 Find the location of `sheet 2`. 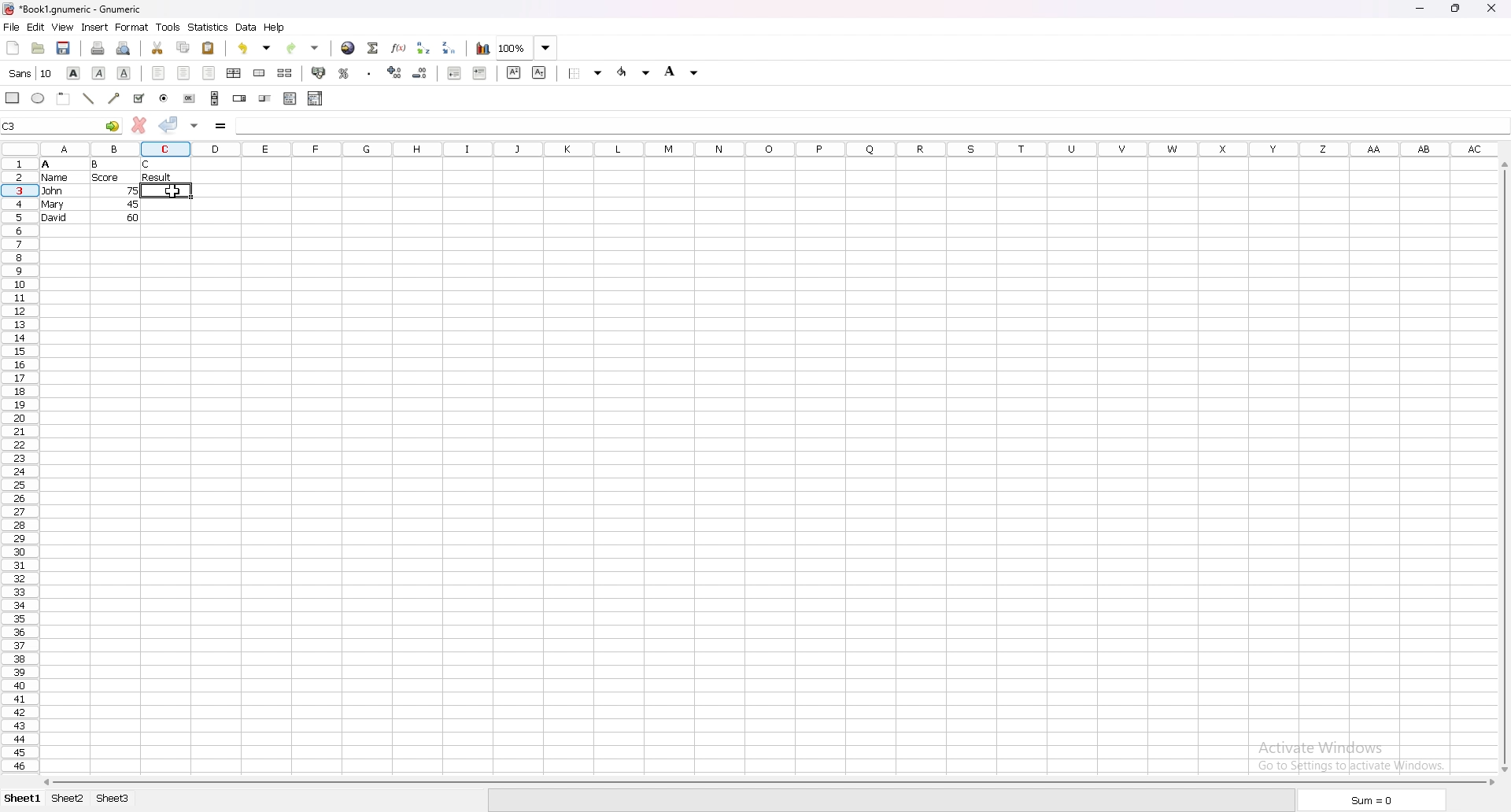

sheet 2 is located at coordinates (65, 800).